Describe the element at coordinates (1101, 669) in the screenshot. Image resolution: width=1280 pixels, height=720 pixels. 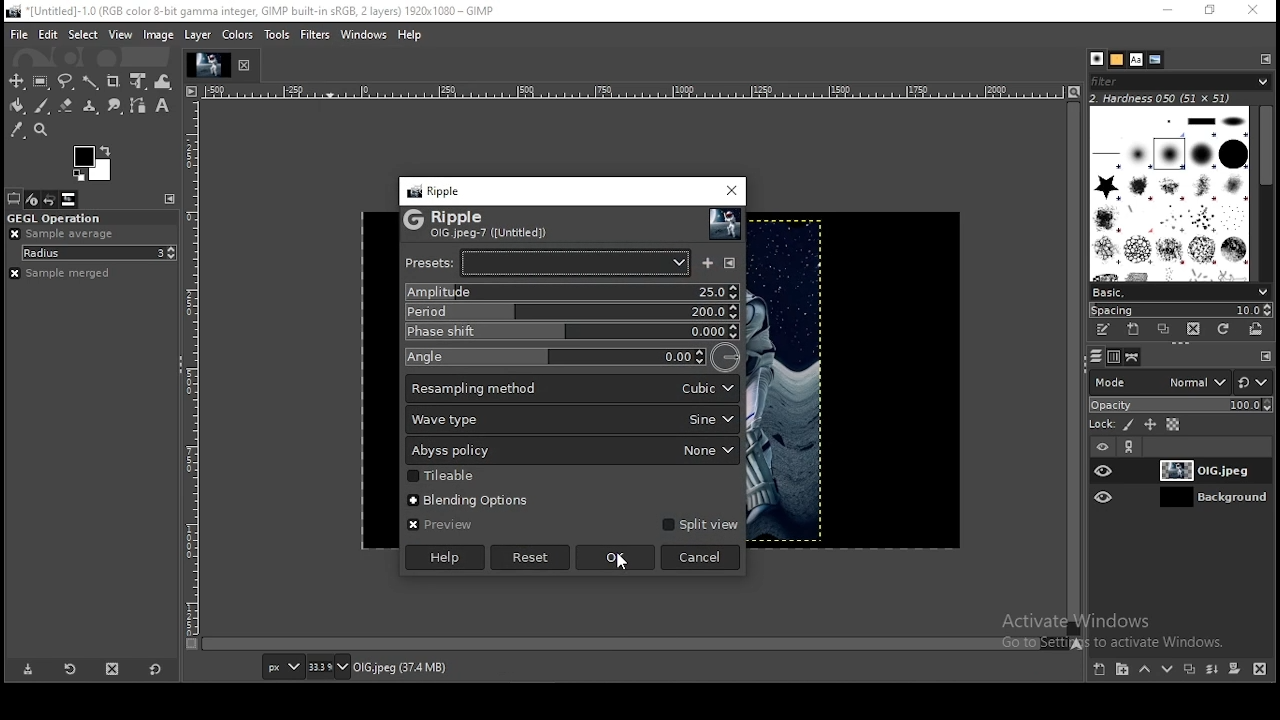
I see `create a new layer` at that location.